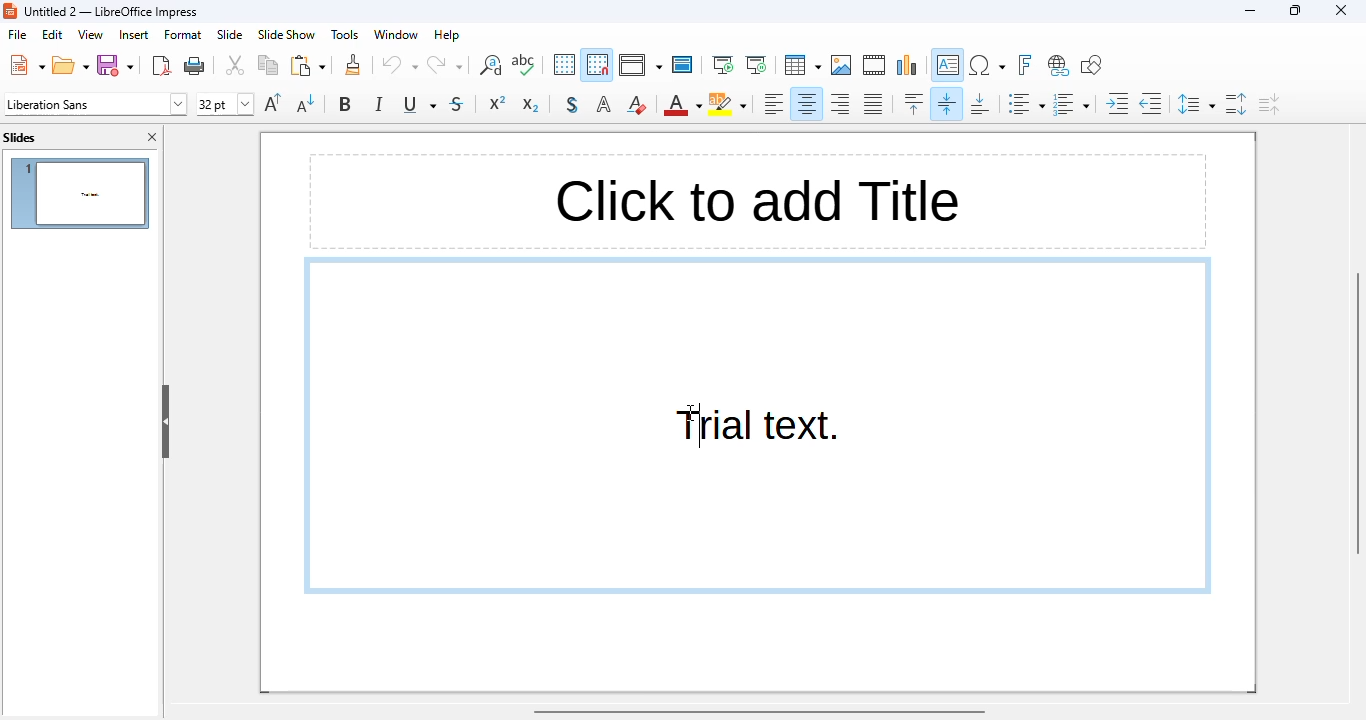  What do you see at coordinates (530, 104) in the screenshot?
I see `subscript` at bounding box center [530, 104].